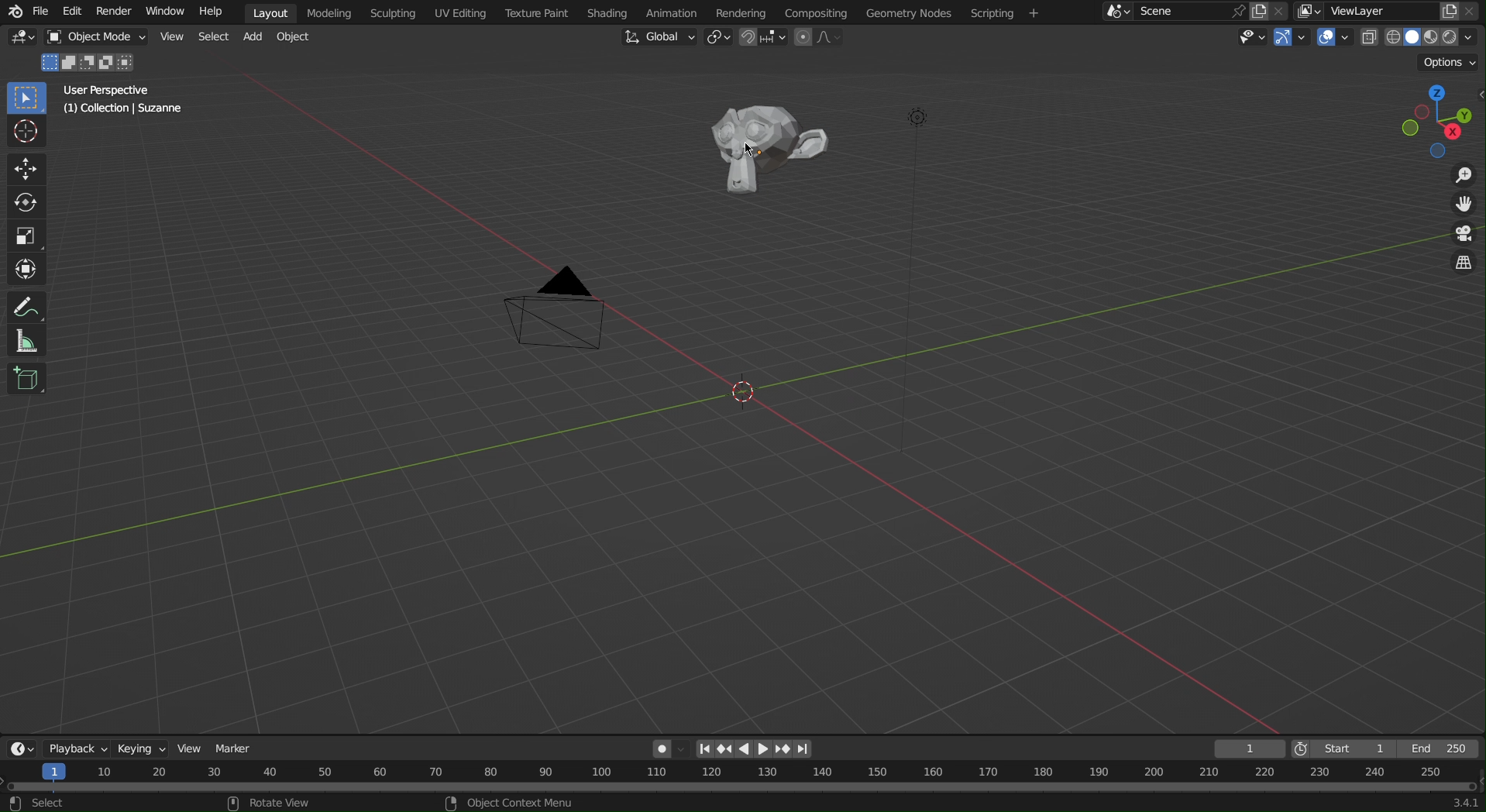 The image size is (1486, 812). I want to click on Scene, so click(1158, 13).